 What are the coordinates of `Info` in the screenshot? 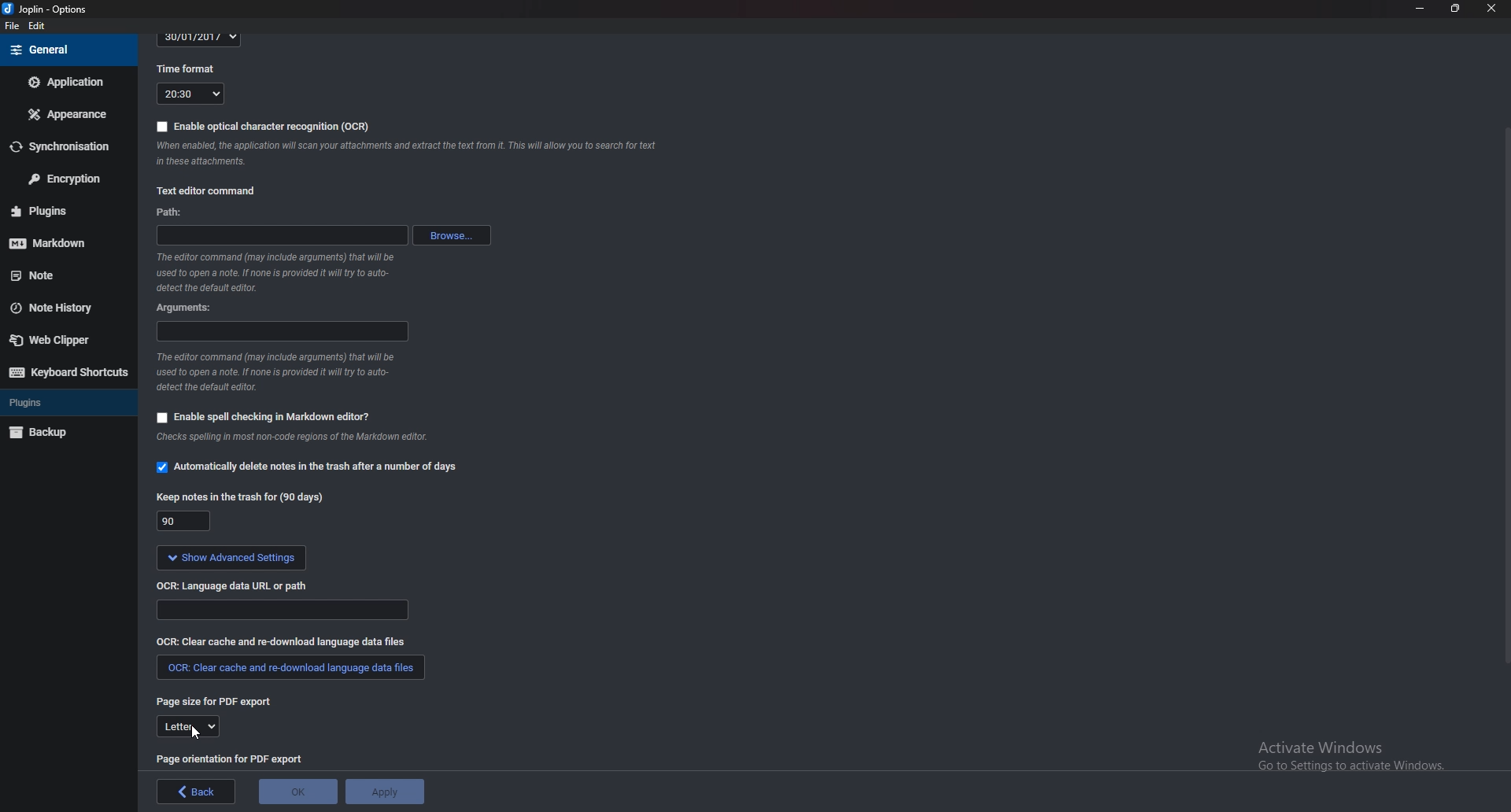 It's located at (304, 439).